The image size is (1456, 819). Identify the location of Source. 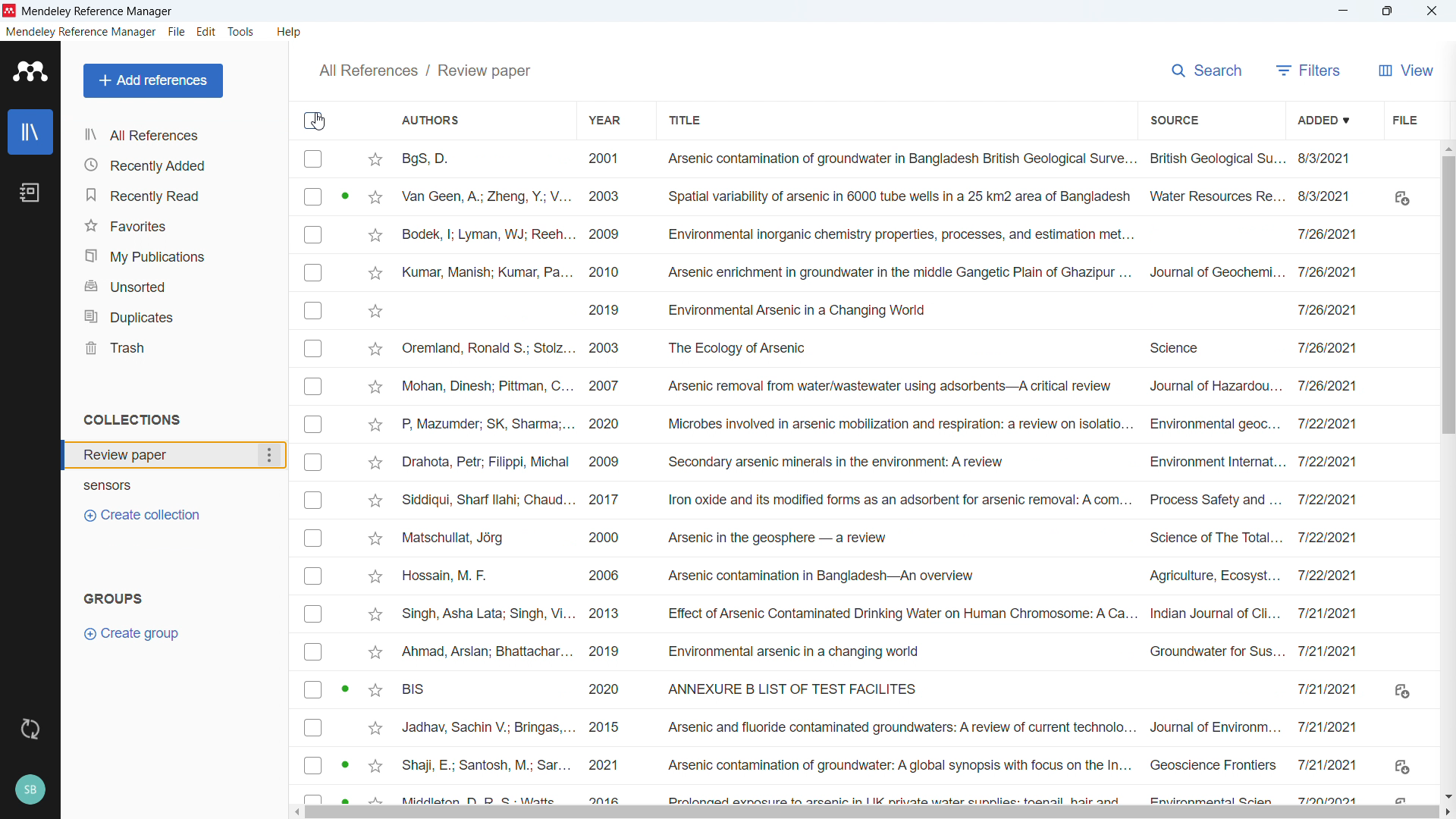
(1175, 118).